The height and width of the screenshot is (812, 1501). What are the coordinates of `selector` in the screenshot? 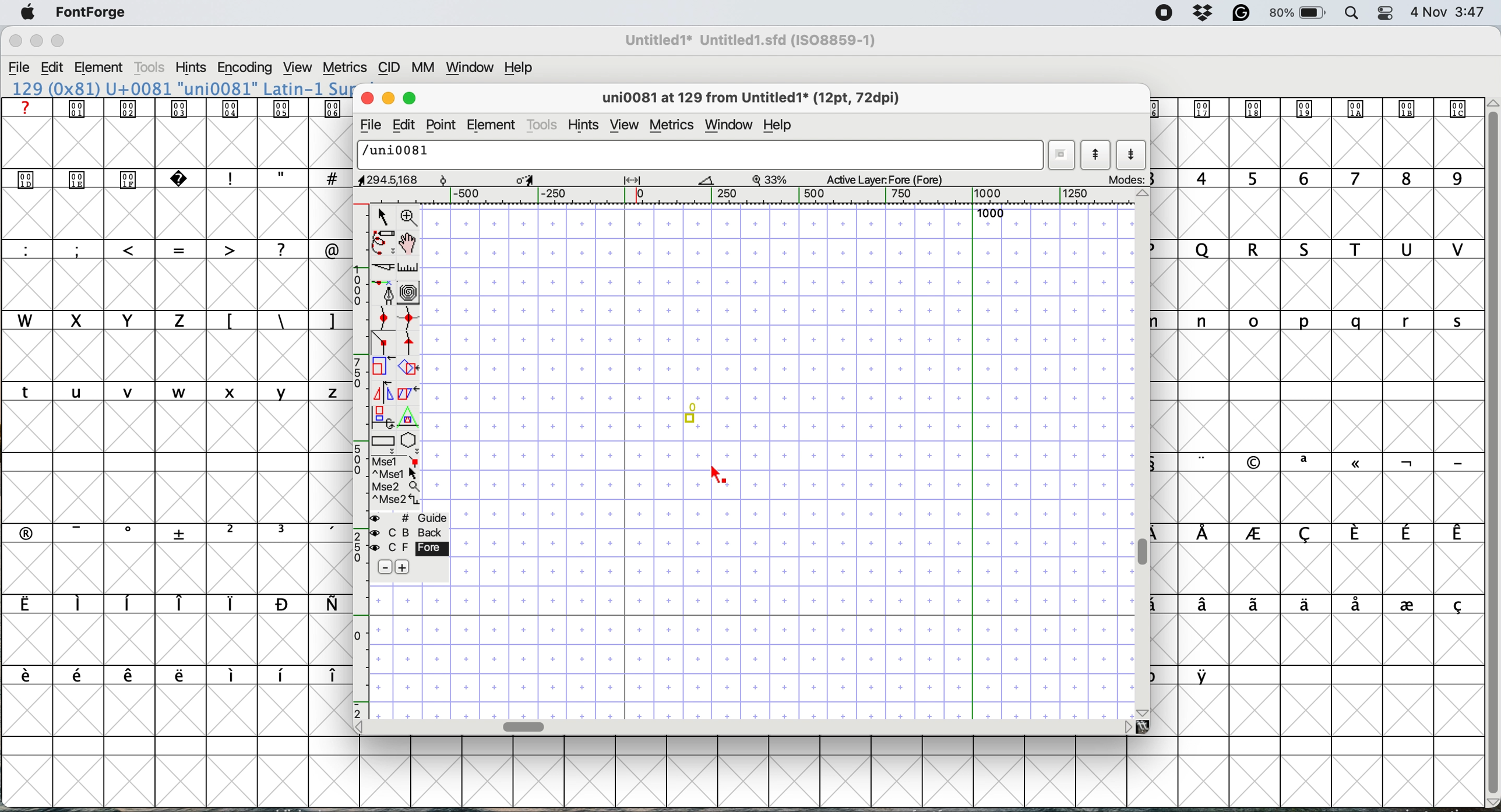 It's located at (383, 216).